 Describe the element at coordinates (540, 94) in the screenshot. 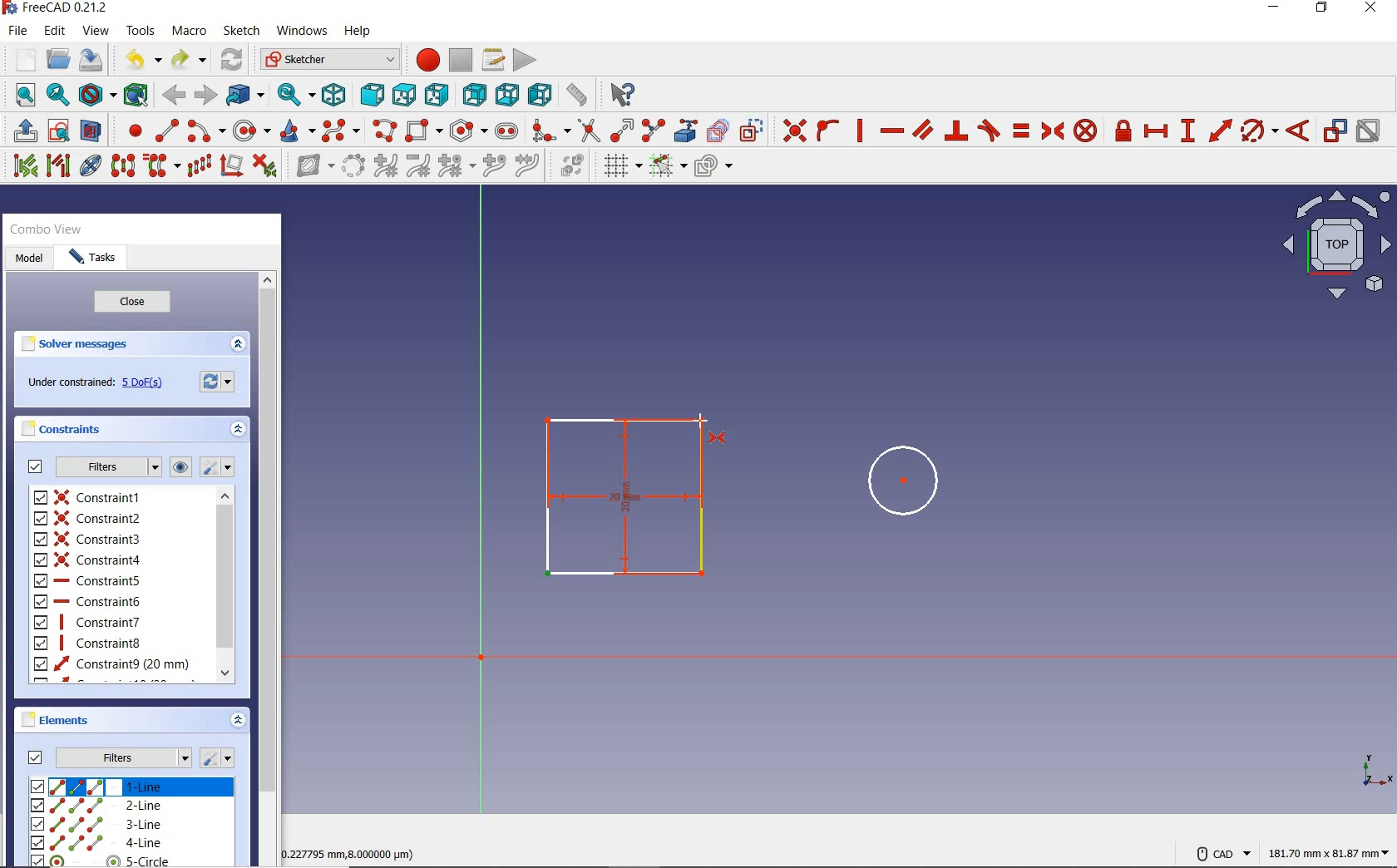

I see `left` at that location.